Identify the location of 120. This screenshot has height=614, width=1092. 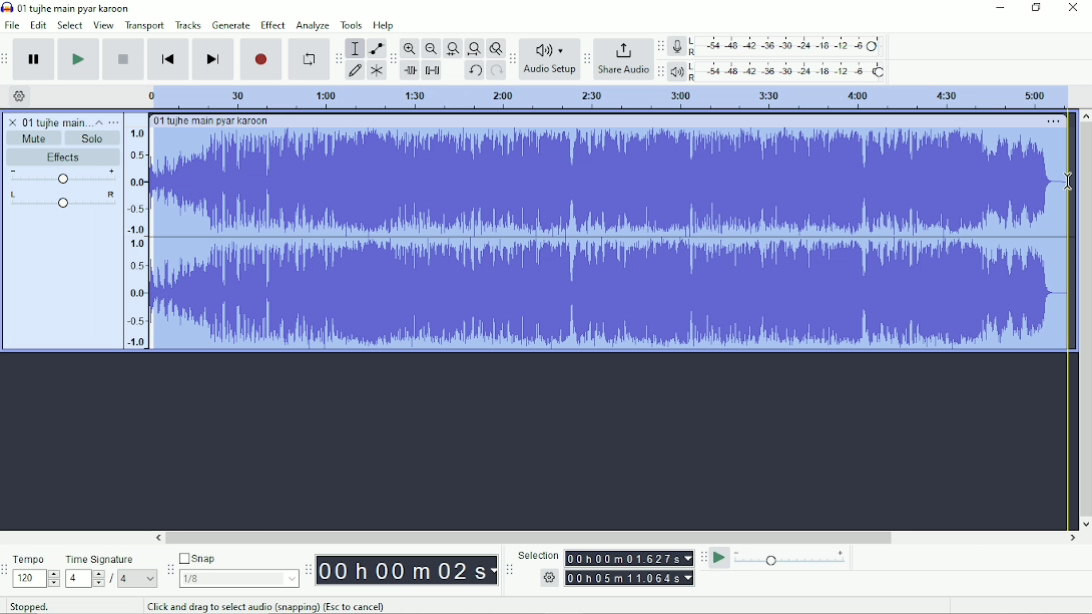
(36, 579).